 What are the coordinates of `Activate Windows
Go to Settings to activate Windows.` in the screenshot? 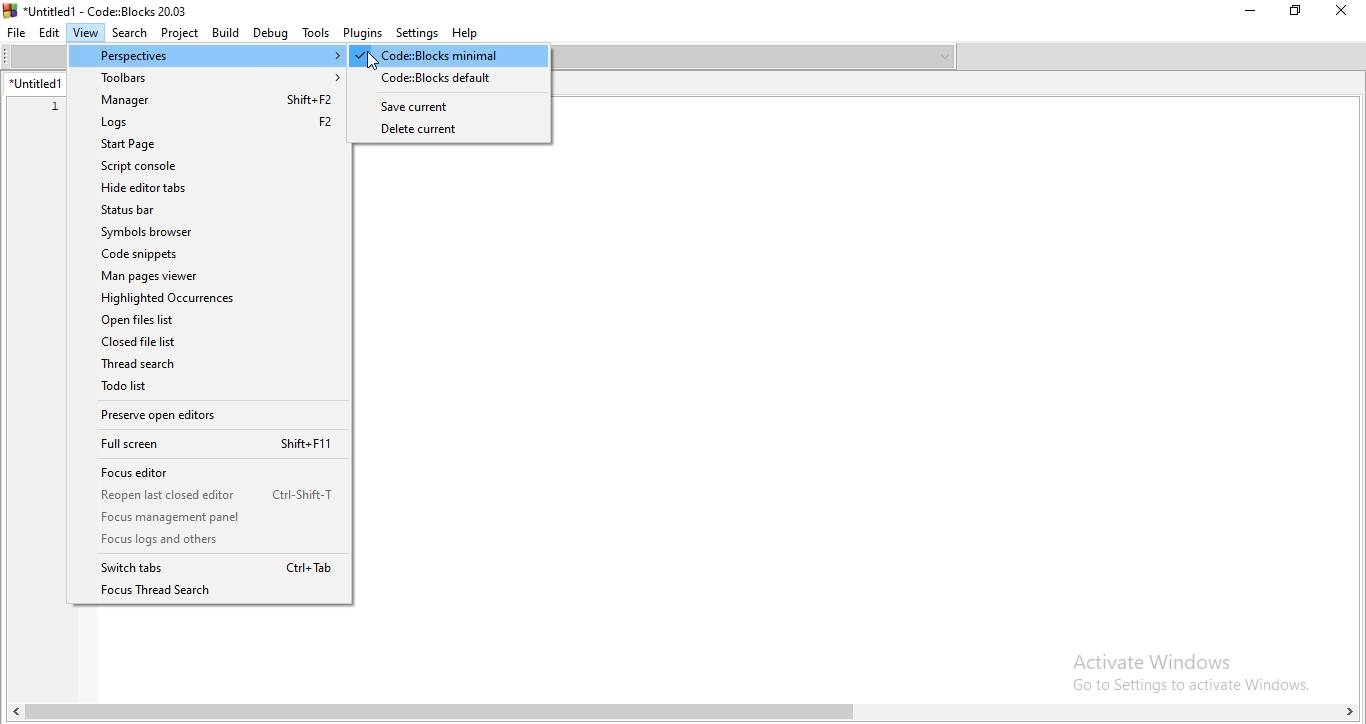 It's located at (1201, 669).